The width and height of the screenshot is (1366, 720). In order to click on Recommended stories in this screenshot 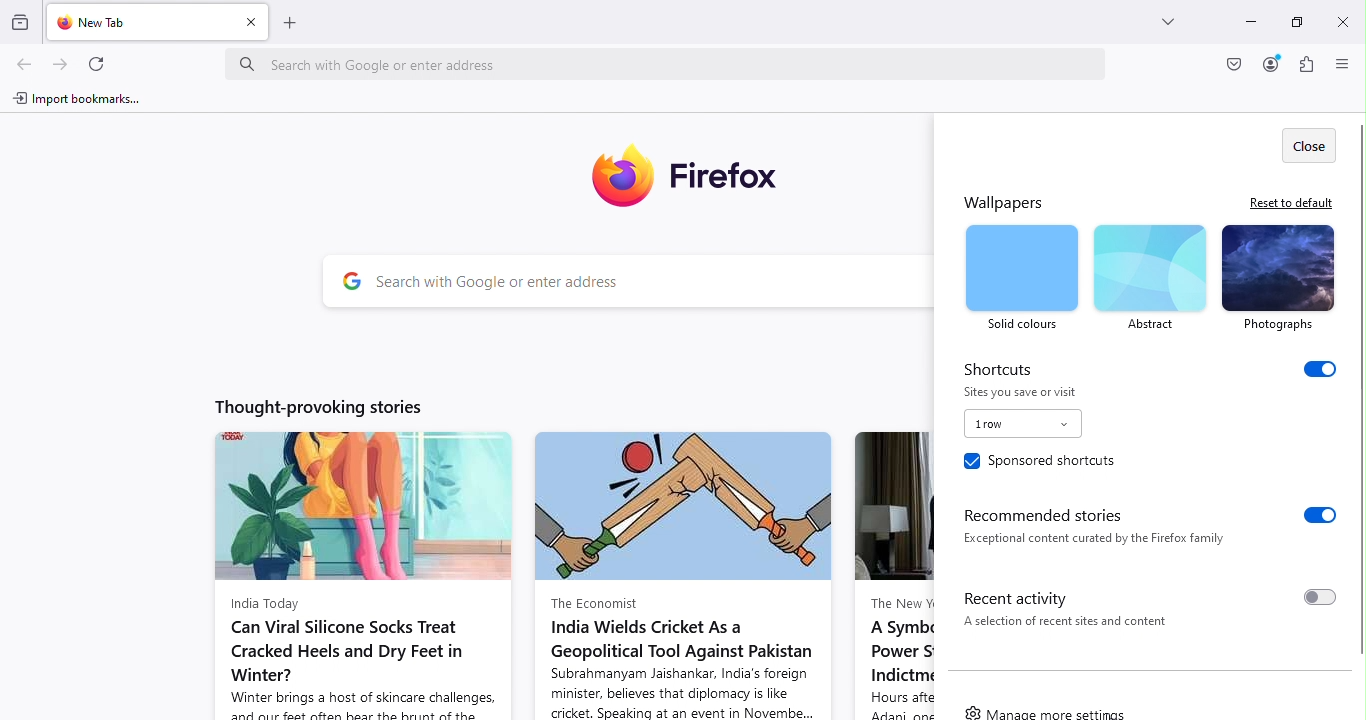, I will do `click(1050, 511)`.